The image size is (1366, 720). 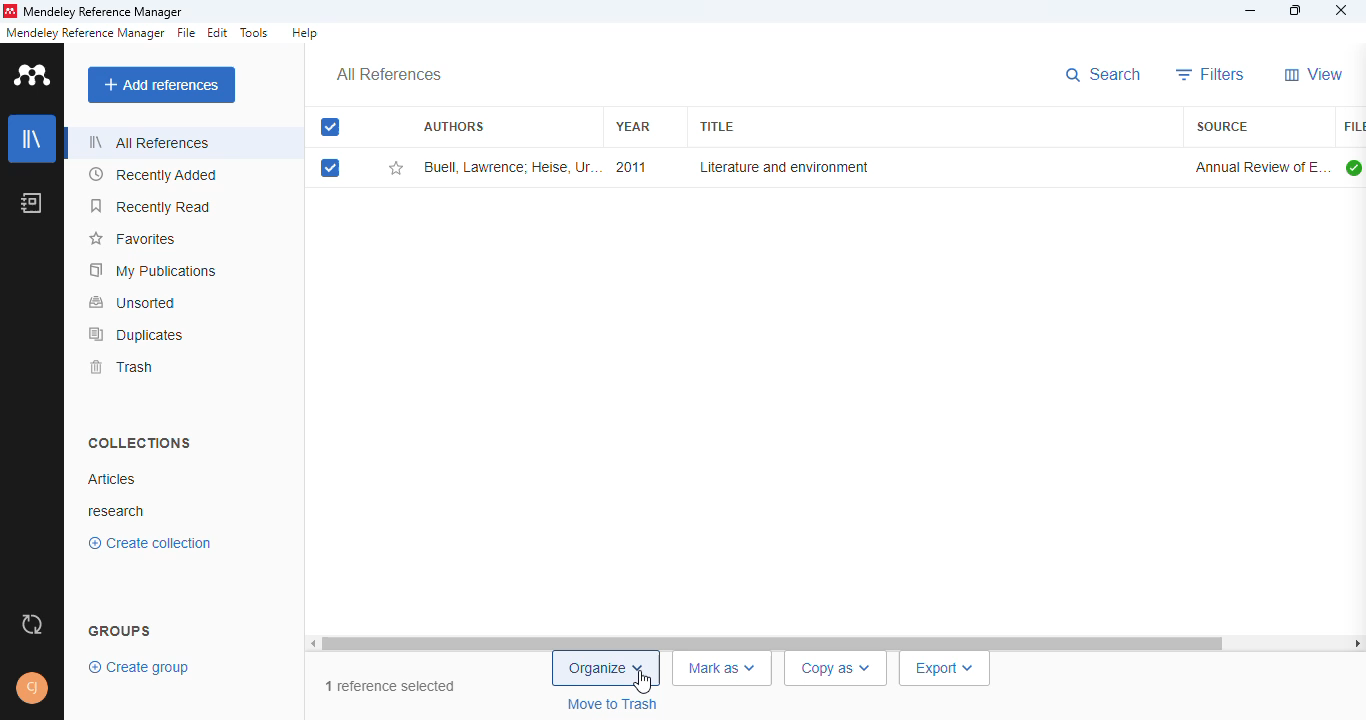 I want to click on Create collection, so click(x=149, y=546).